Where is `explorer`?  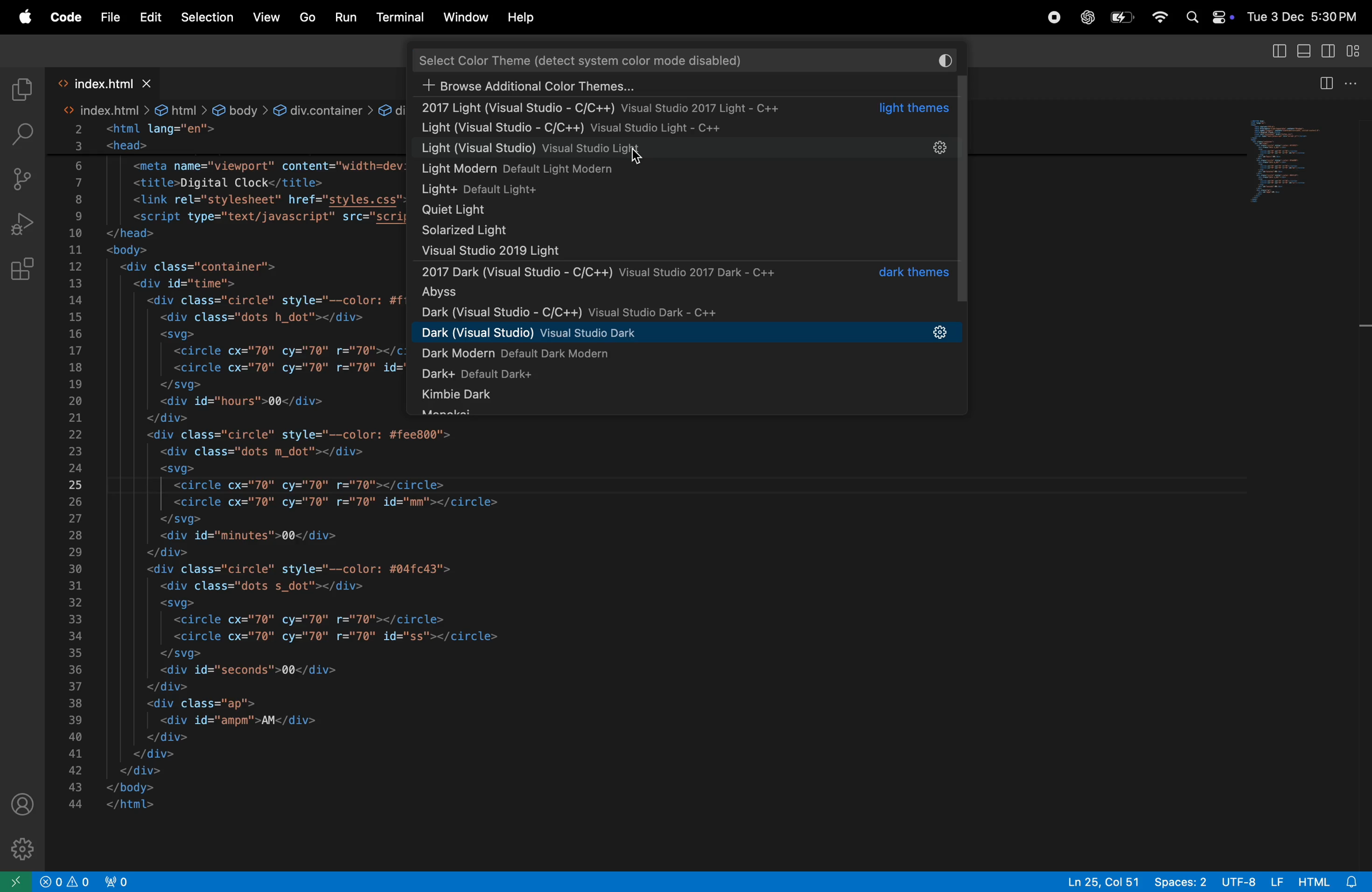
explorer is located at coordinates (20, 87).